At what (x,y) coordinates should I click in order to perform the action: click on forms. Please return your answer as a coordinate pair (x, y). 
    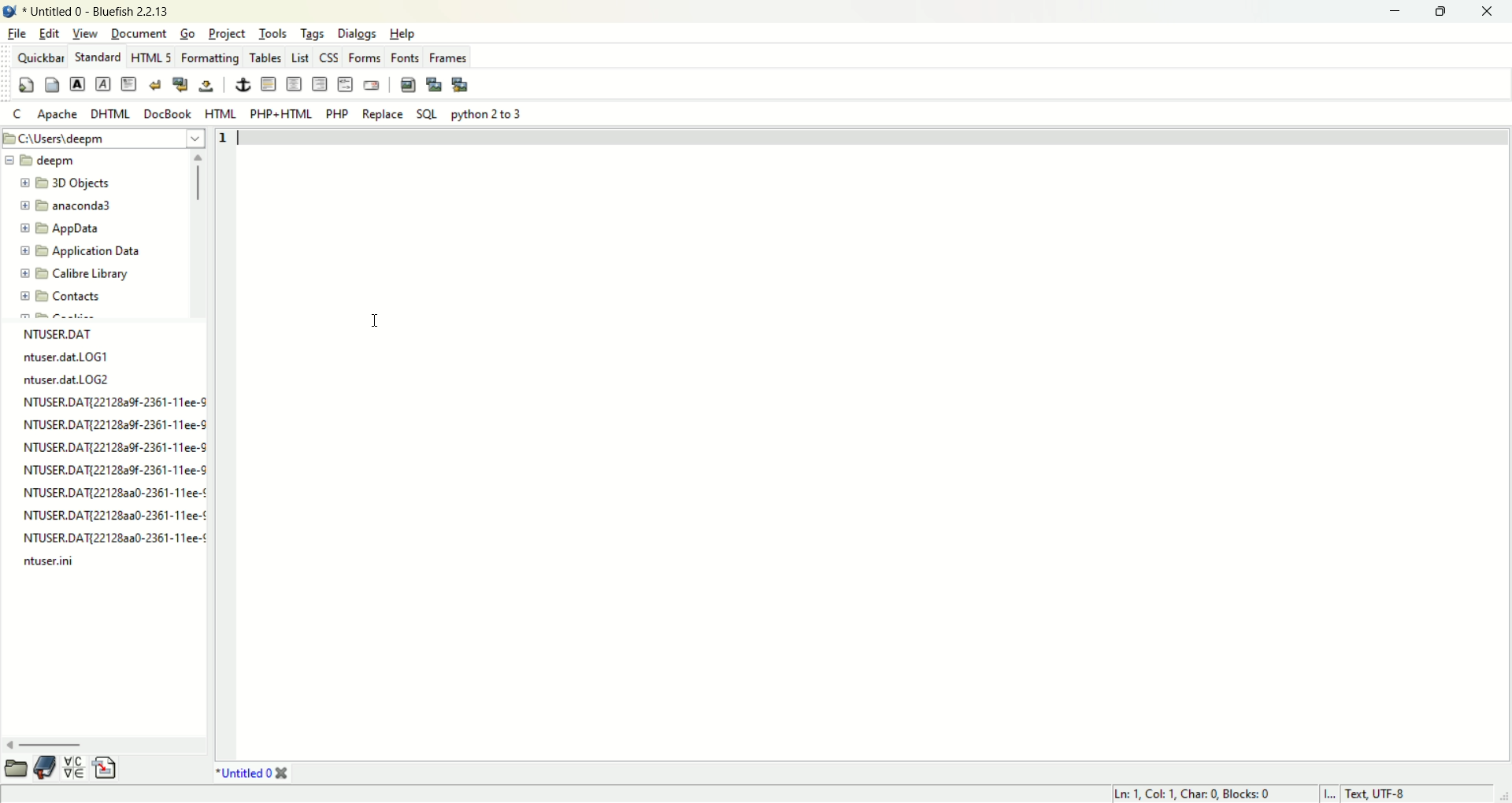
    Looking at the image, I should click on (365, 59).